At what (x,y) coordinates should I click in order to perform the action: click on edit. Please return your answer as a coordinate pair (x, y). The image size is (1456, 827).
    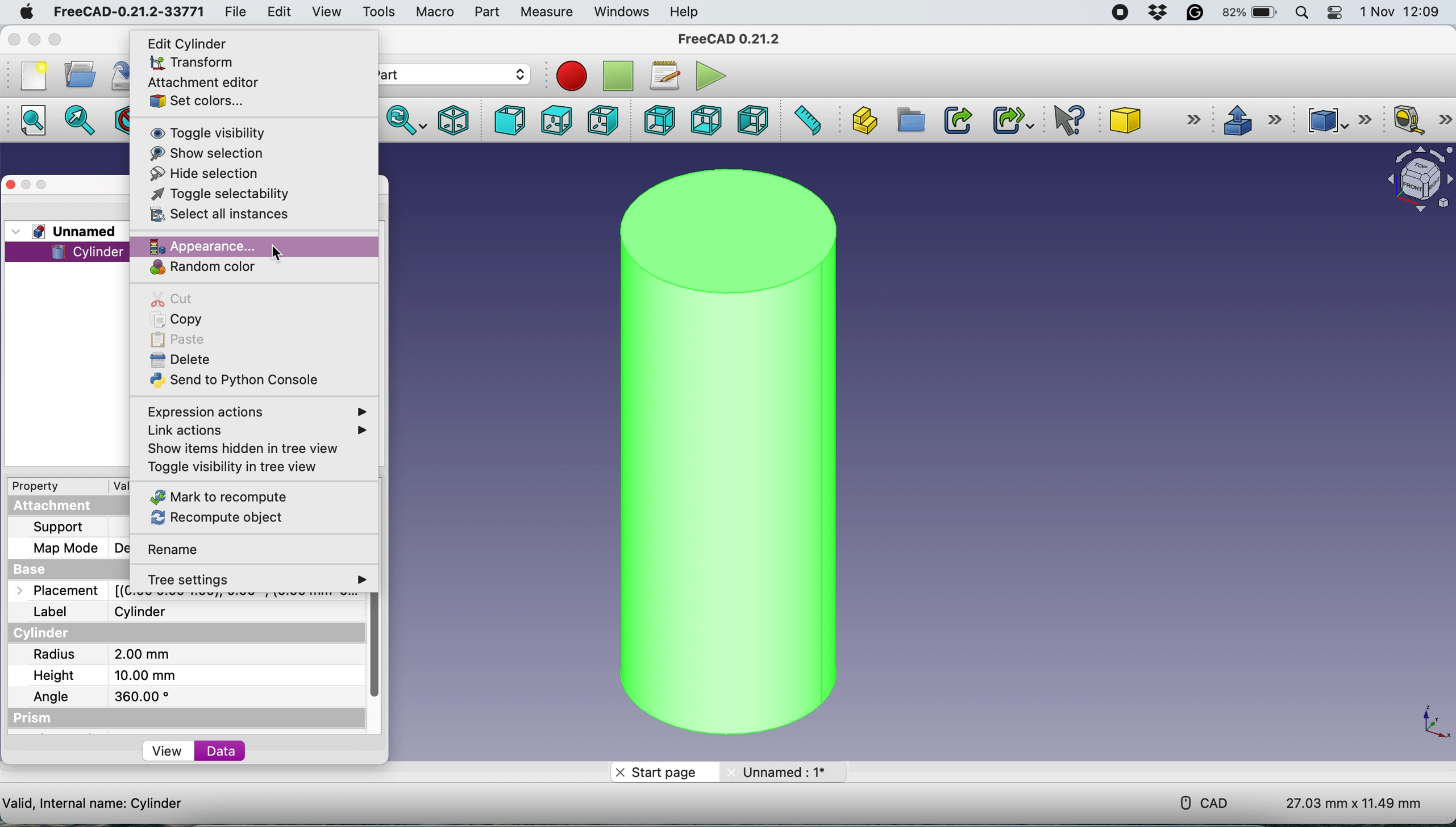
    Looking at the image, I should click on (282, 13).